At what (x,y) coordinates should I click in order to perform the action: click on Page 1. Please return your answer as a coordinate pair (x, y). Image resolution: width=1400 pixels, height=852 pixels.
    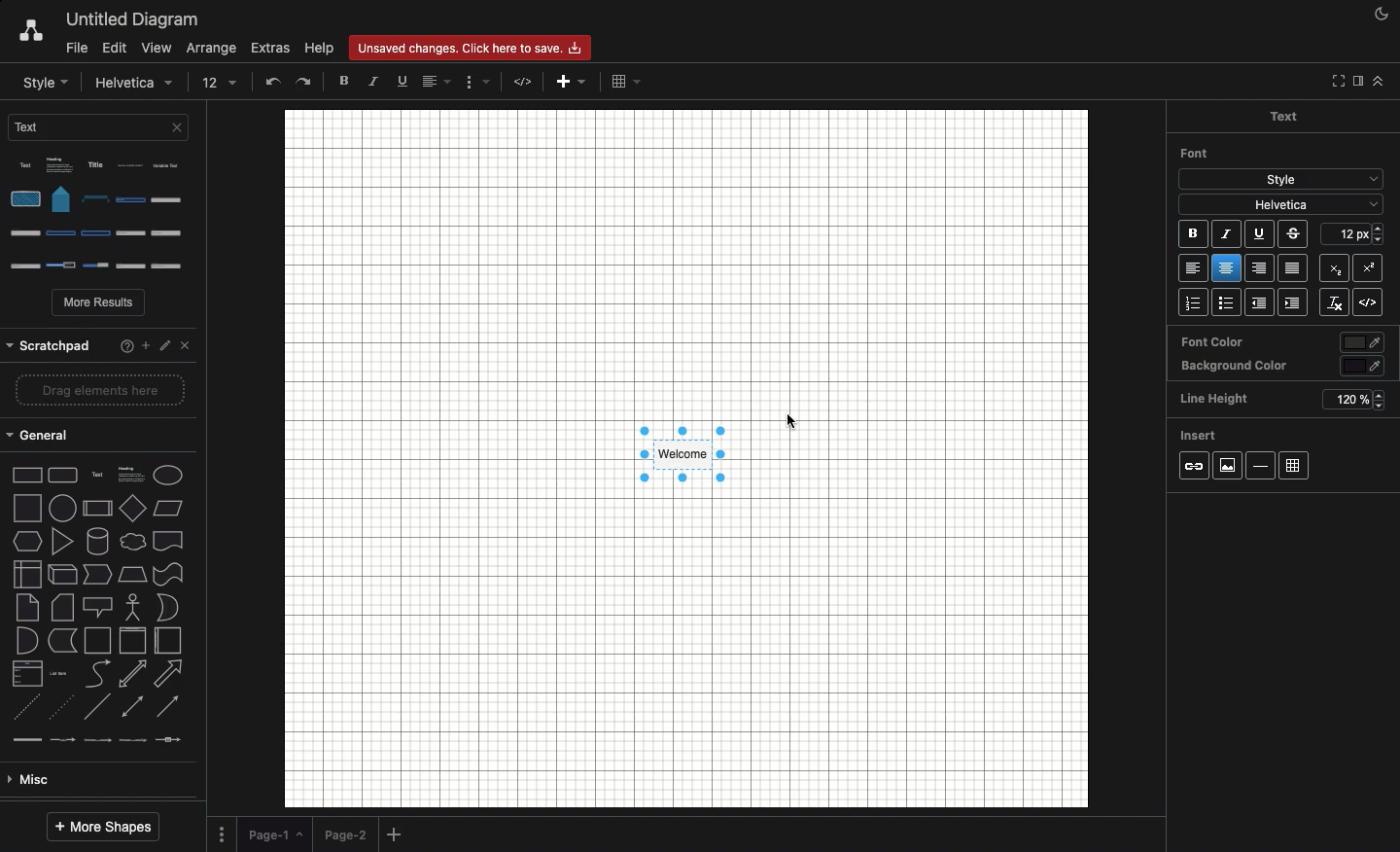
    Looking at the image, I should click on (274, 832).